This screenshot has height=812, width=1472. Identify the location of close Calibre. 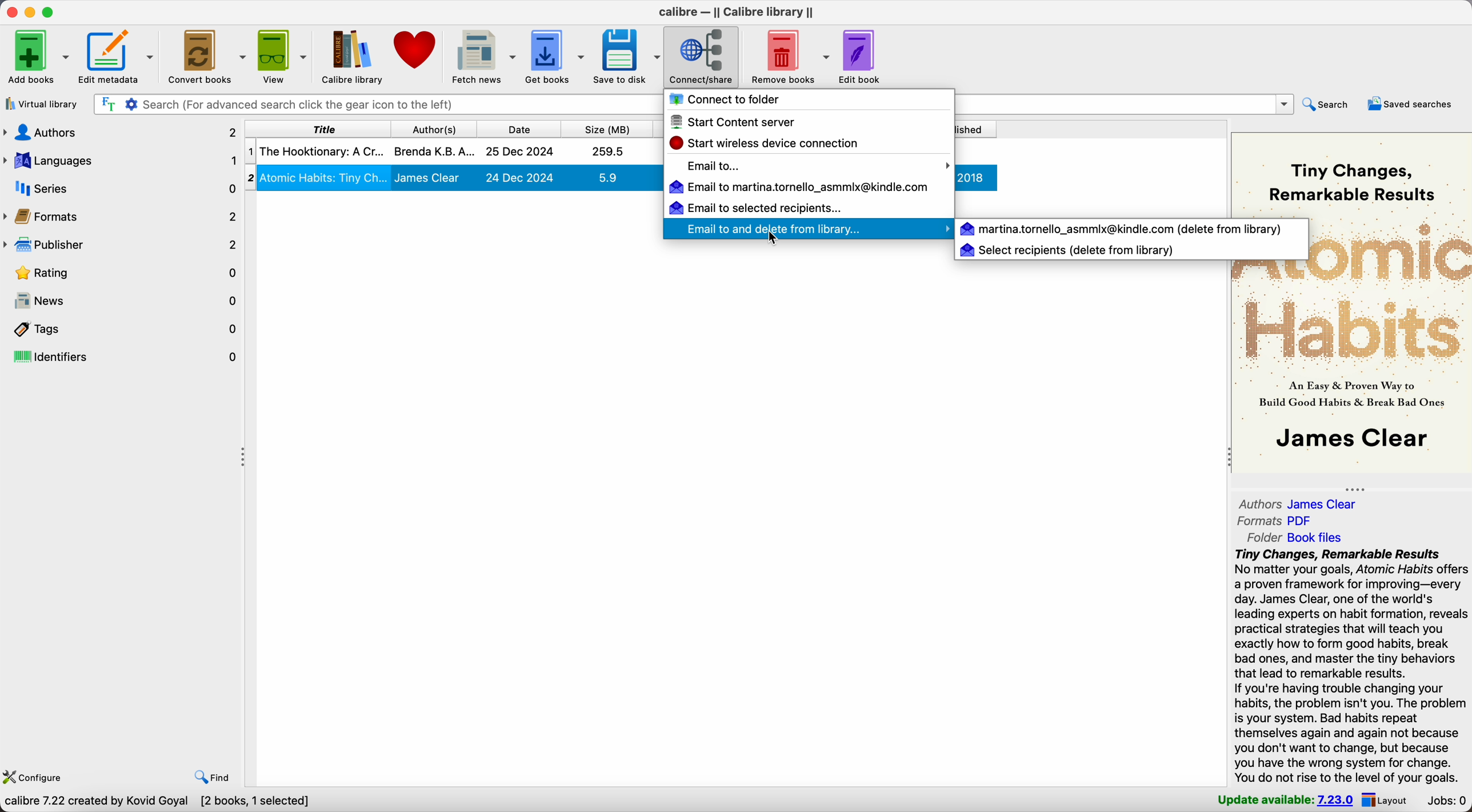
(10, 11).